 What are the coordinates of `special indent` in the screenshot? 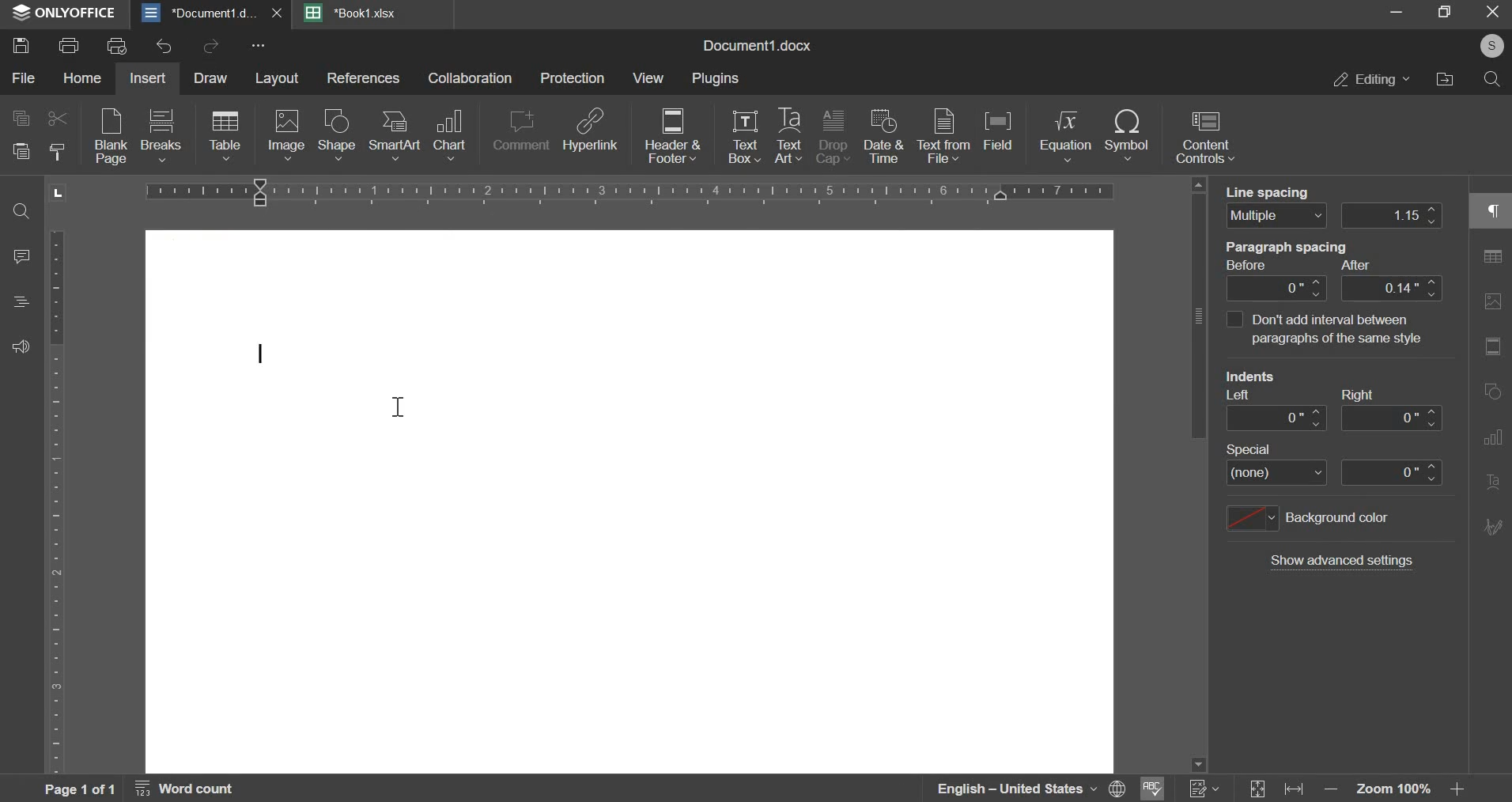 It's located at (1394, 471).